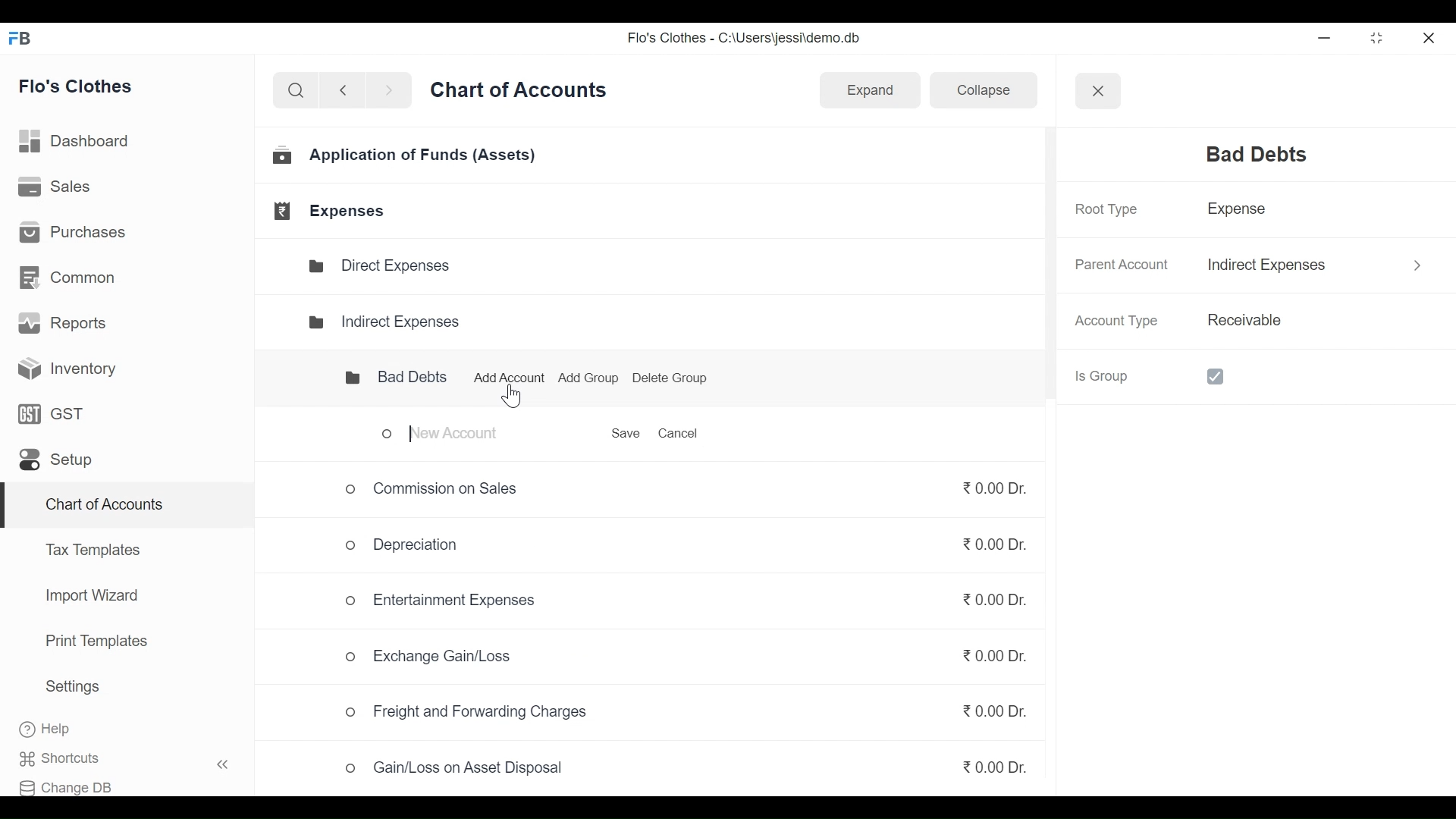 The image size is (1456, 819). Describe the element at coordinates (1163, 375) in the screenshot. I see `Is Group` at that location.